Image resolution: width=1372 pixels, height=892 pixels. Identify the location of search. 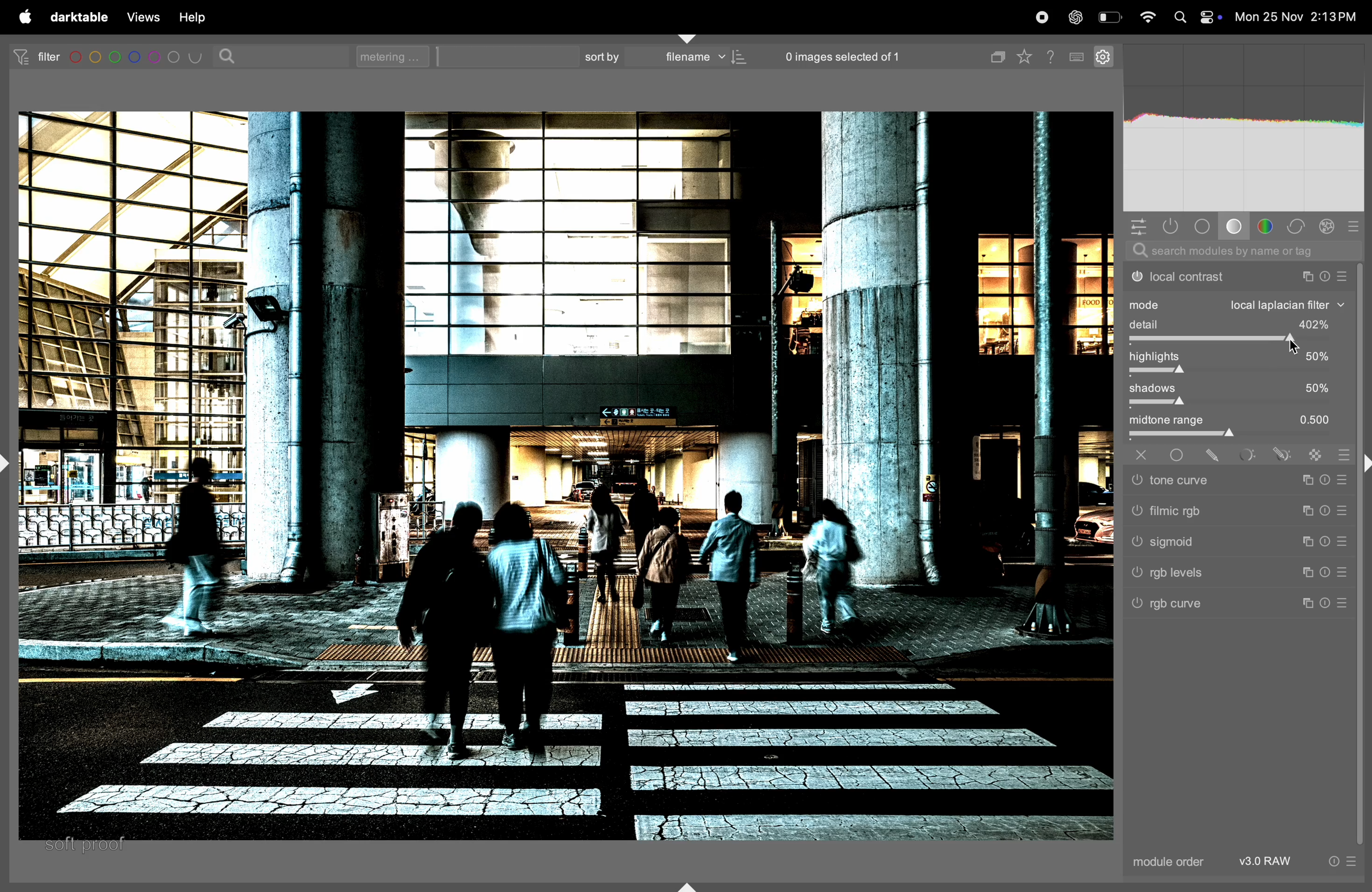
(1237, 253).